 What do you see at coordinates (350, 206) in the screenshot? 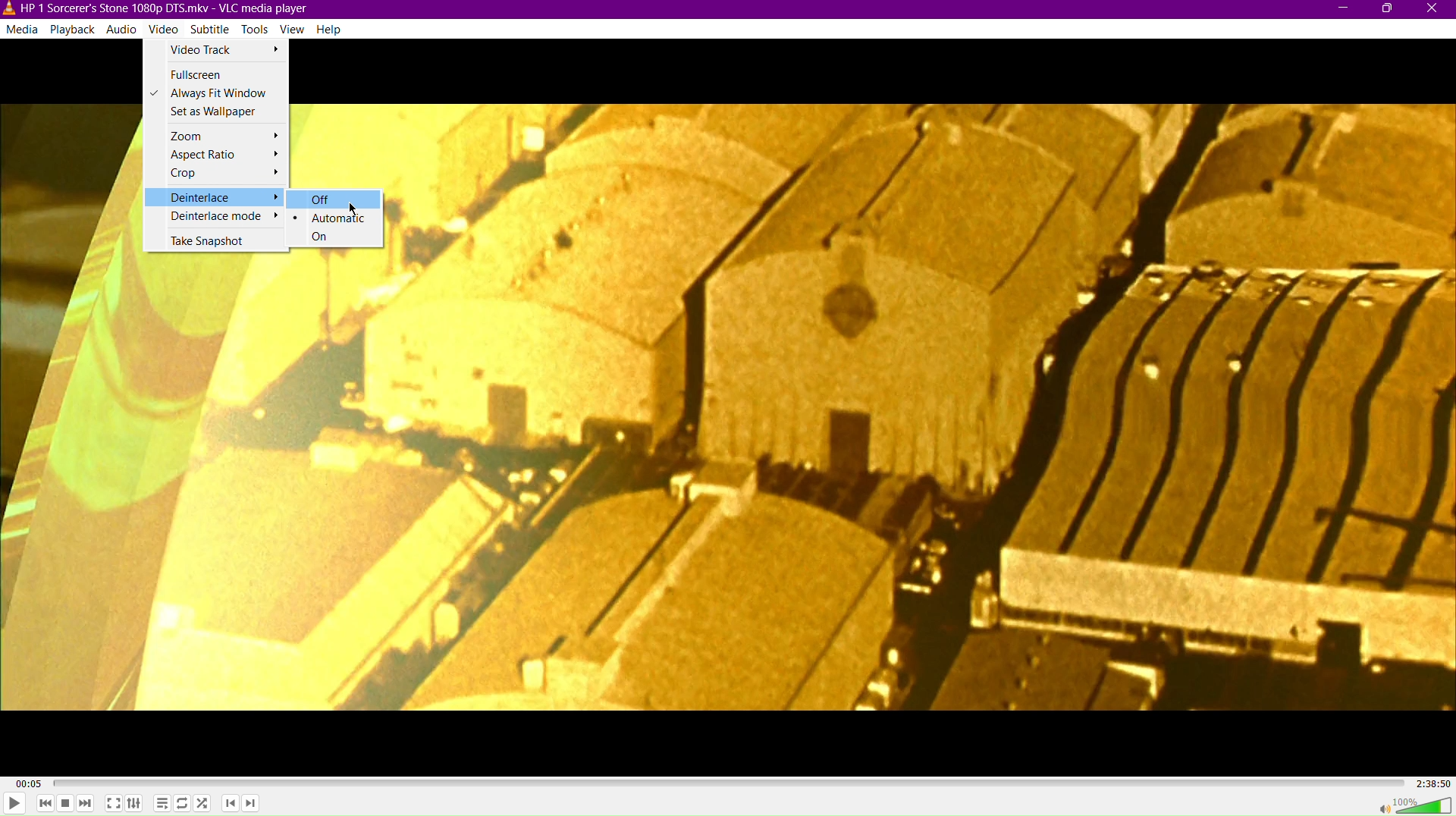
I see `Cursor Position` at bounding box center [350, 206].